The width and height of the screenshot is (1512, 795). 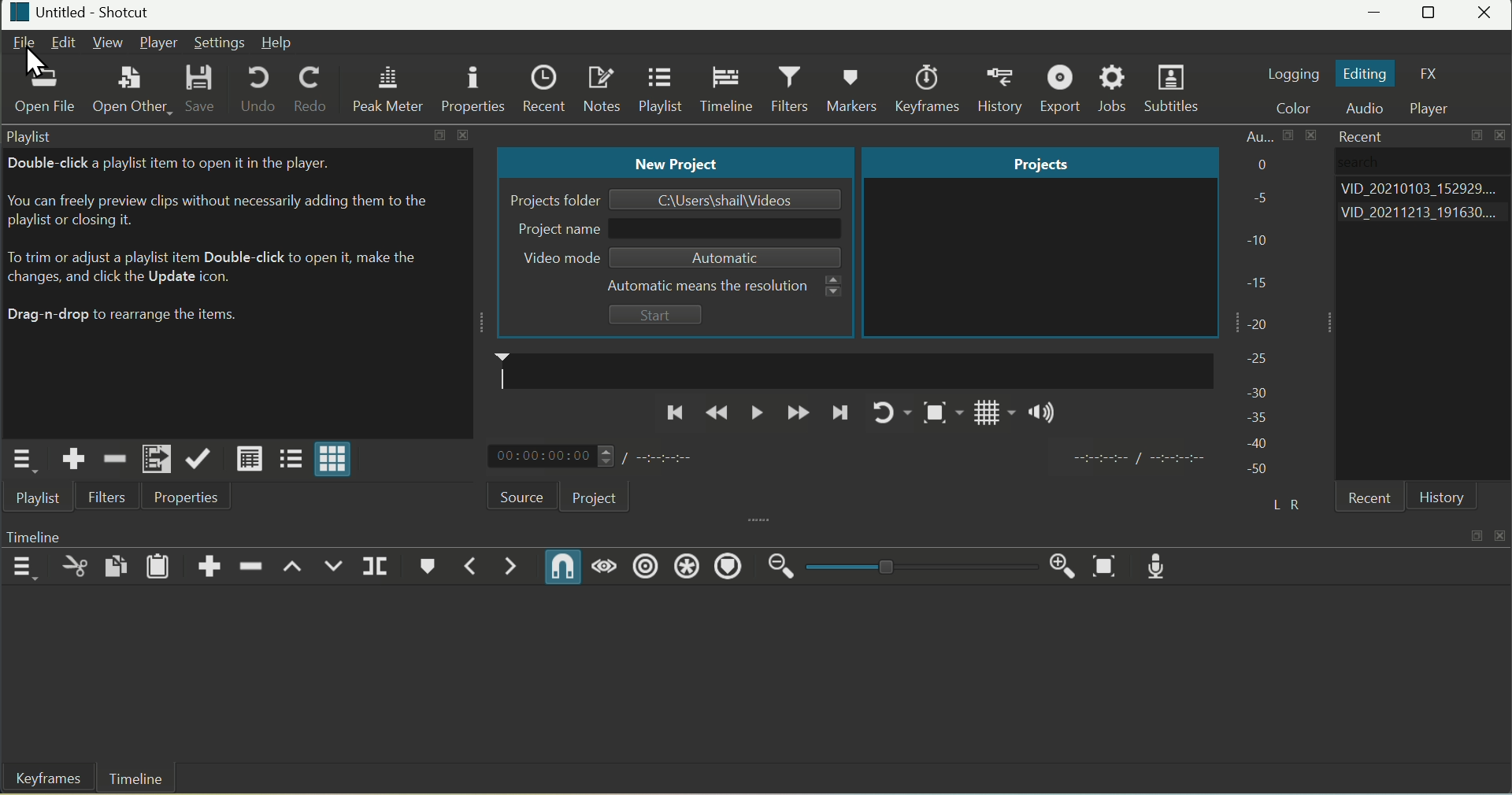 What do you see at coordinates (1374, 500) in the screenshot?
I see `Recent` at bounding box center [1374, 500].